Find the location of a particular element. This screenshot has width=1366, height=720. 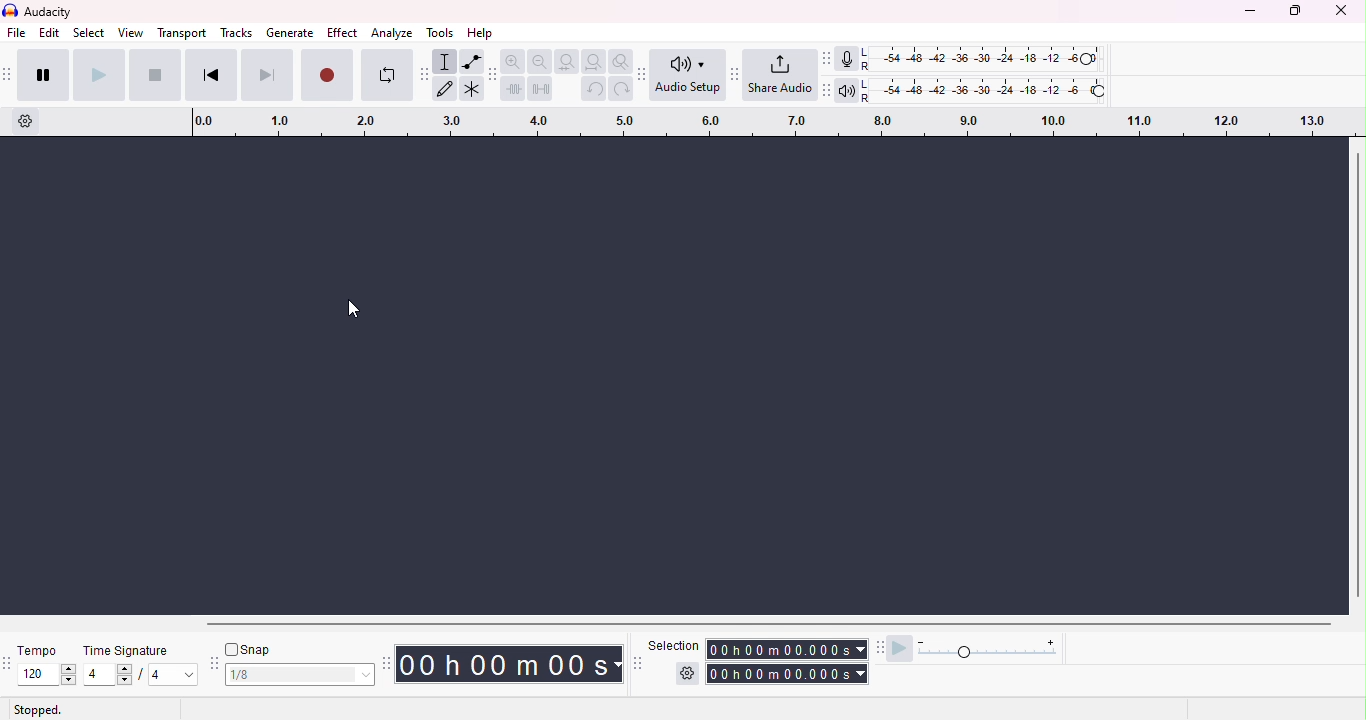

view is located at coordinates (130, 33).